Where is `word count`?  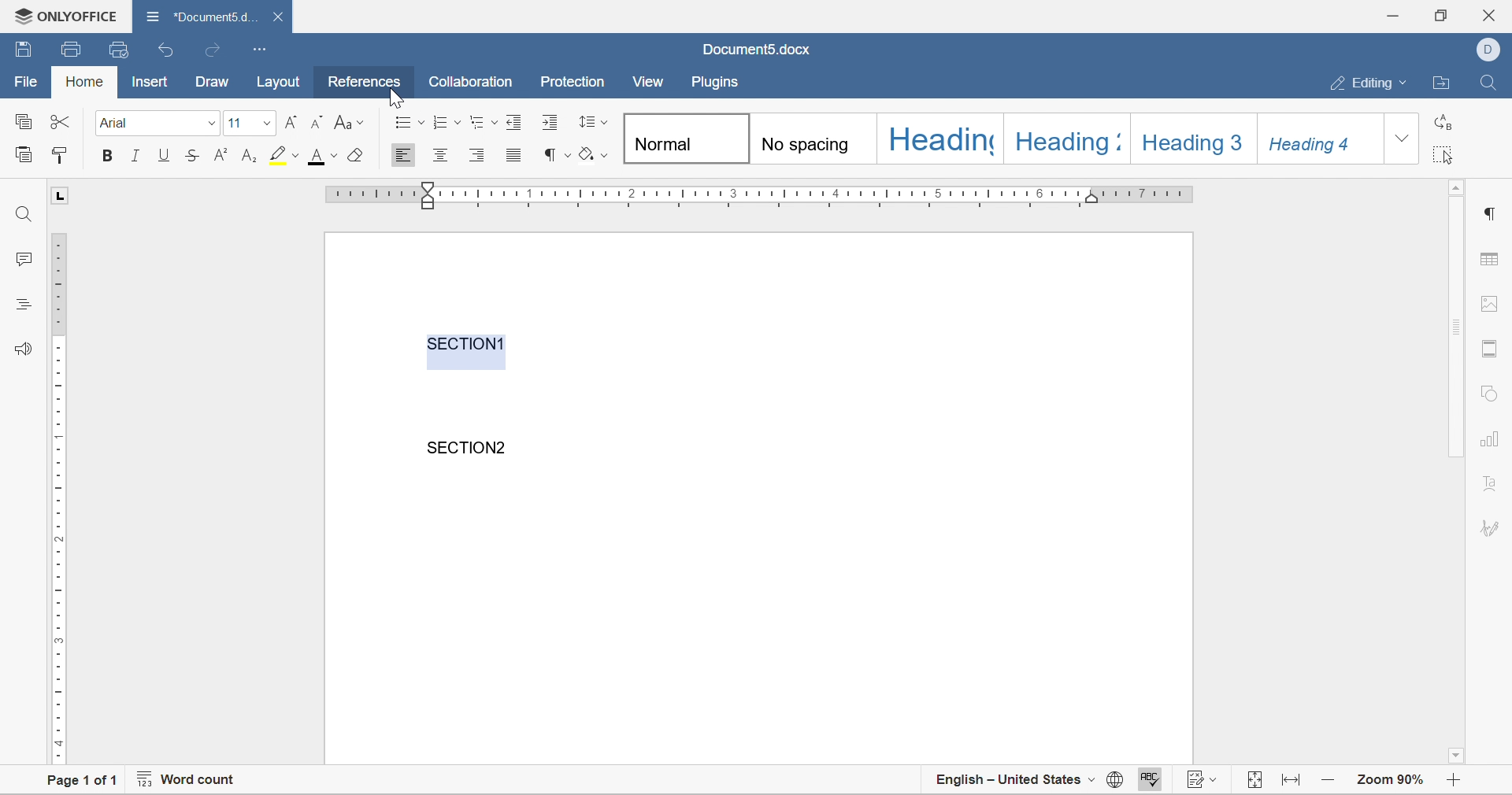 word count is located at coordinates (185, 782).